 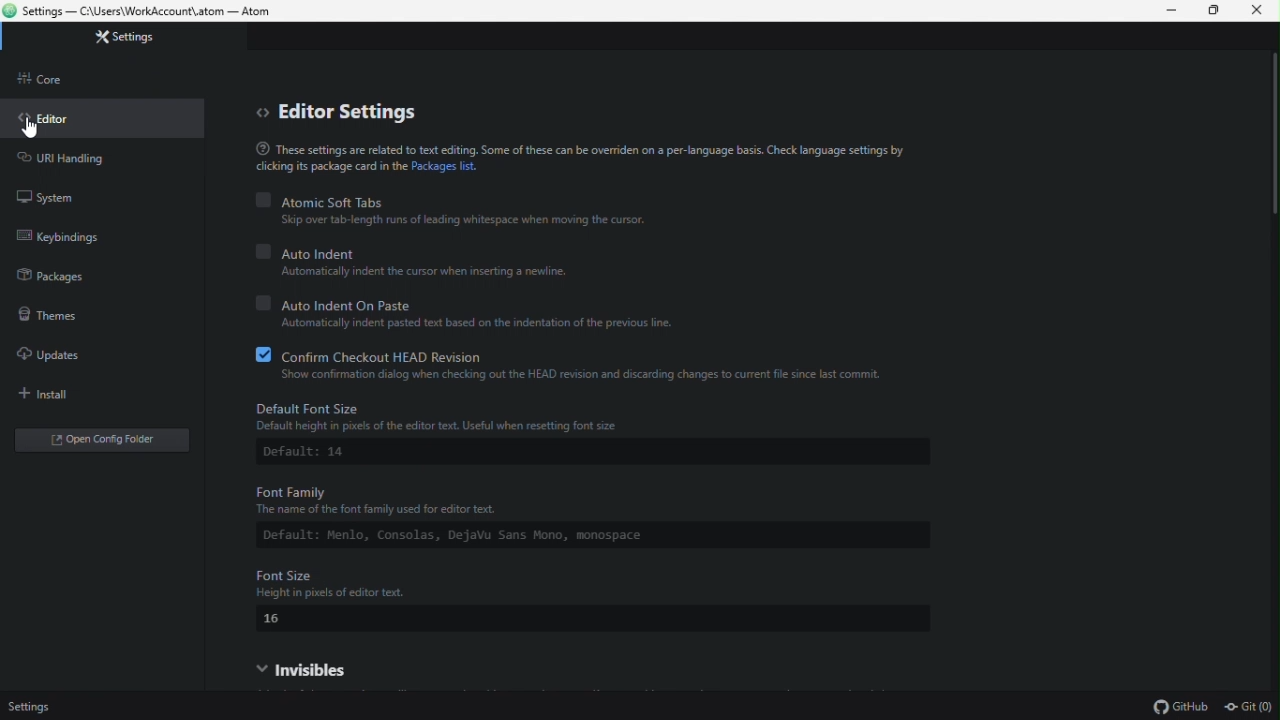 What do you see at coordinates (610, 418) in the screenshot?
I see `Default Font Size
Default height in pixels of the editor text. Useful when resetting font size.` at bounding box center [610, 418].